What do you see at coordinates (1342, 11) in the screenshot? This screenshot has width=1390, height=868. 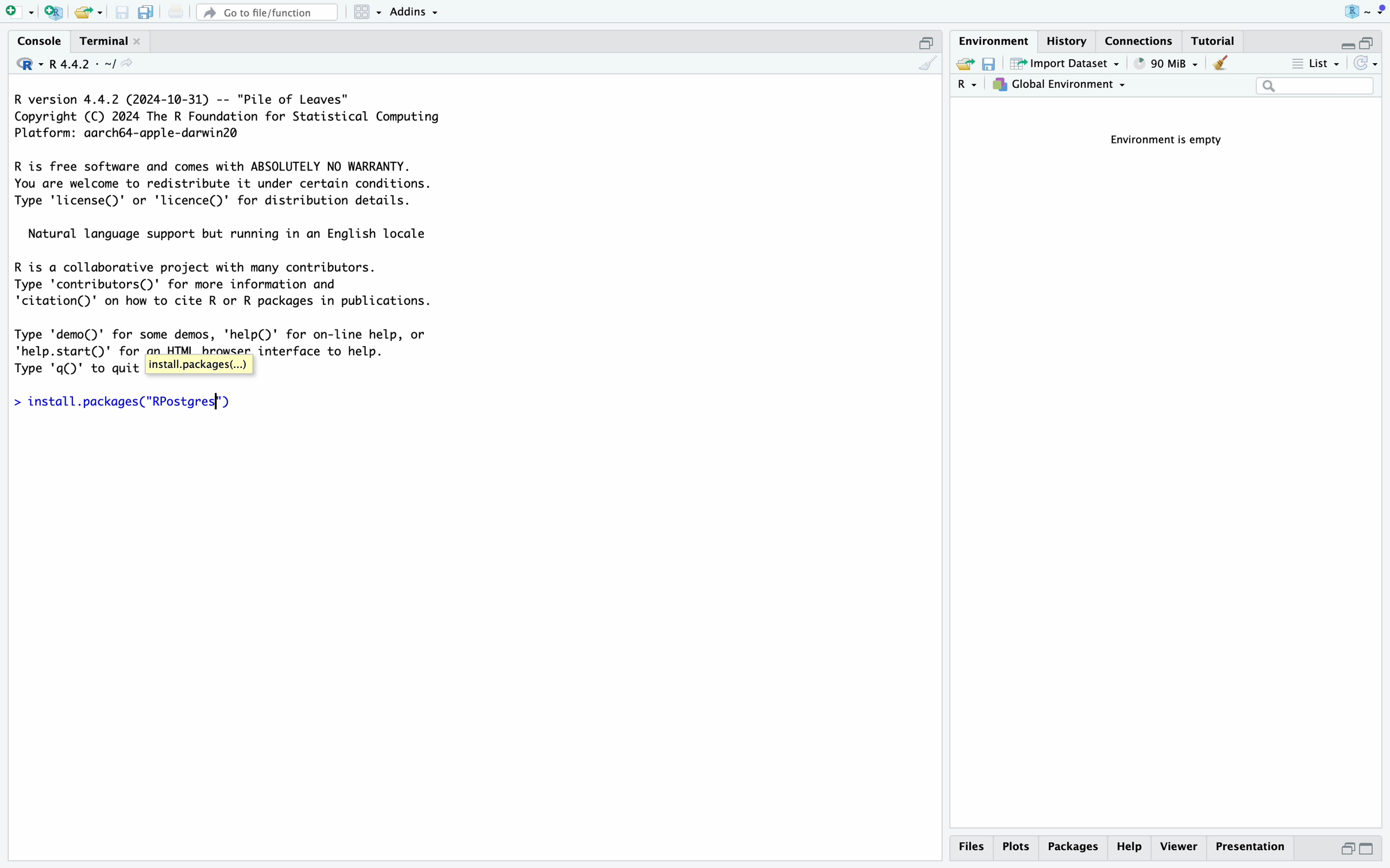 I see `R logo` at bounding box center [1342, 11].